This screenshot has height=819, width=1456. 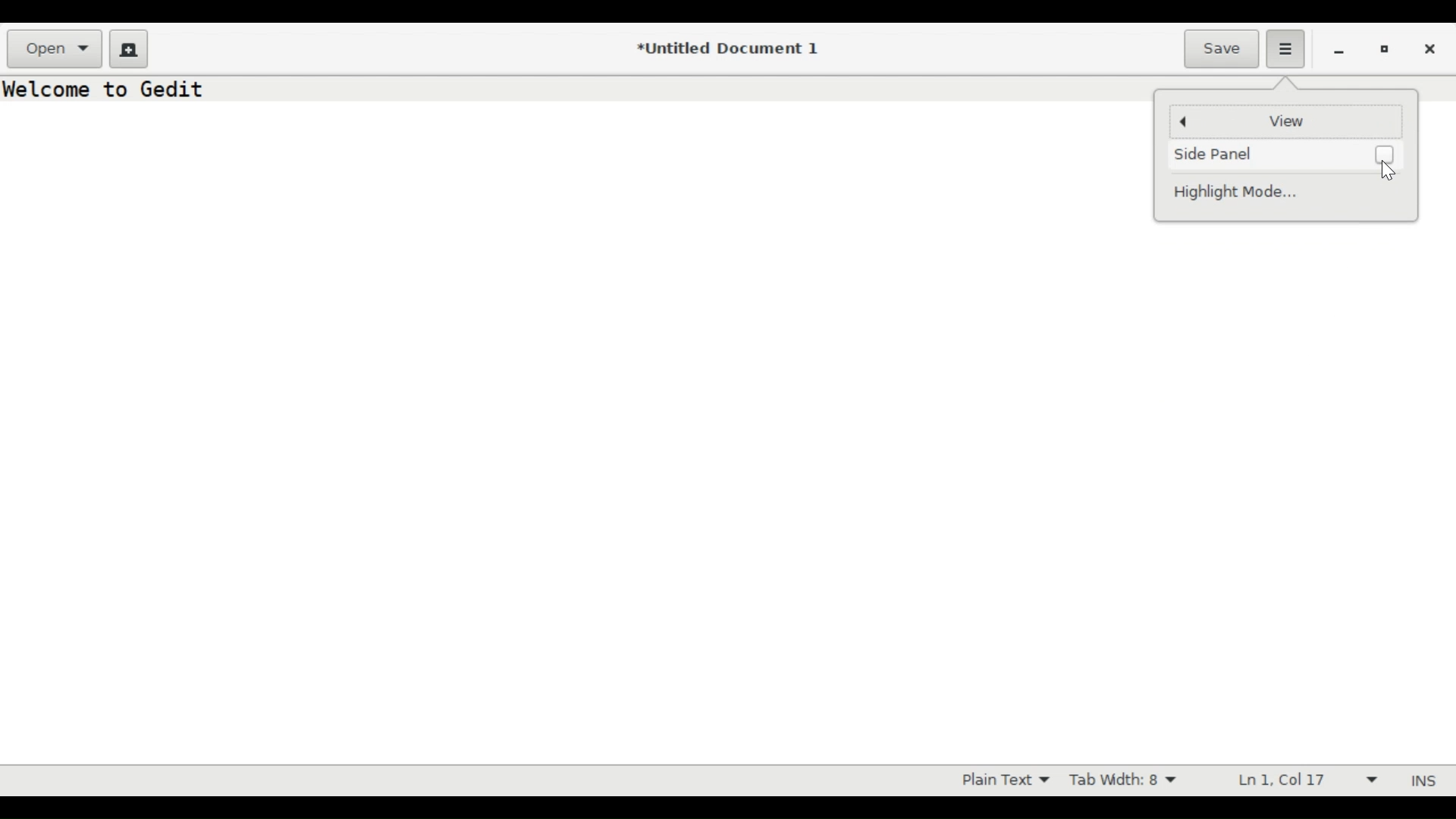 What do you see at coordinates (730, 50) in the screenshot?
I see `*Untitled Document 1` at bounding box center [730, 50].